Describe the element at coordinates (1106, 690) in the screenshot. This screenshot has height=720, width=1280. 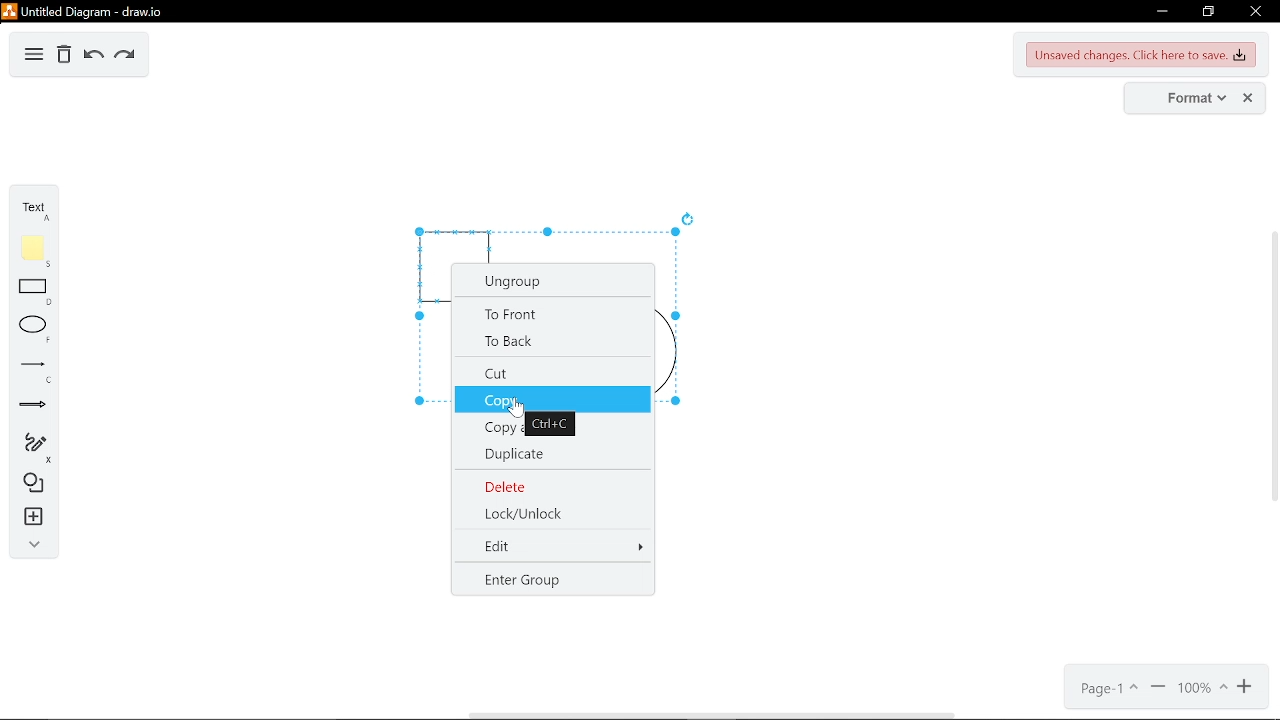
I see `current page` at that location.